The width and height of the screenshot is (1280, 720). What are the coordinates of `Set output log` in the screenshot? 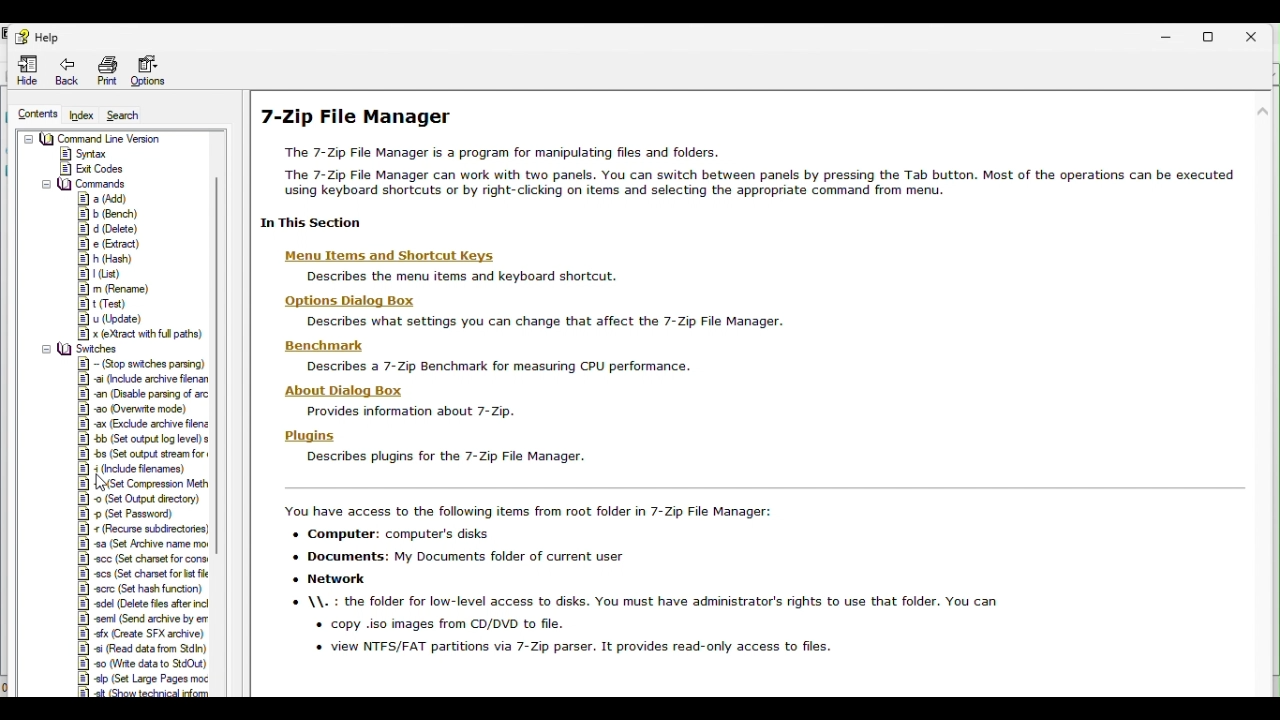 It's located at (143, 440).